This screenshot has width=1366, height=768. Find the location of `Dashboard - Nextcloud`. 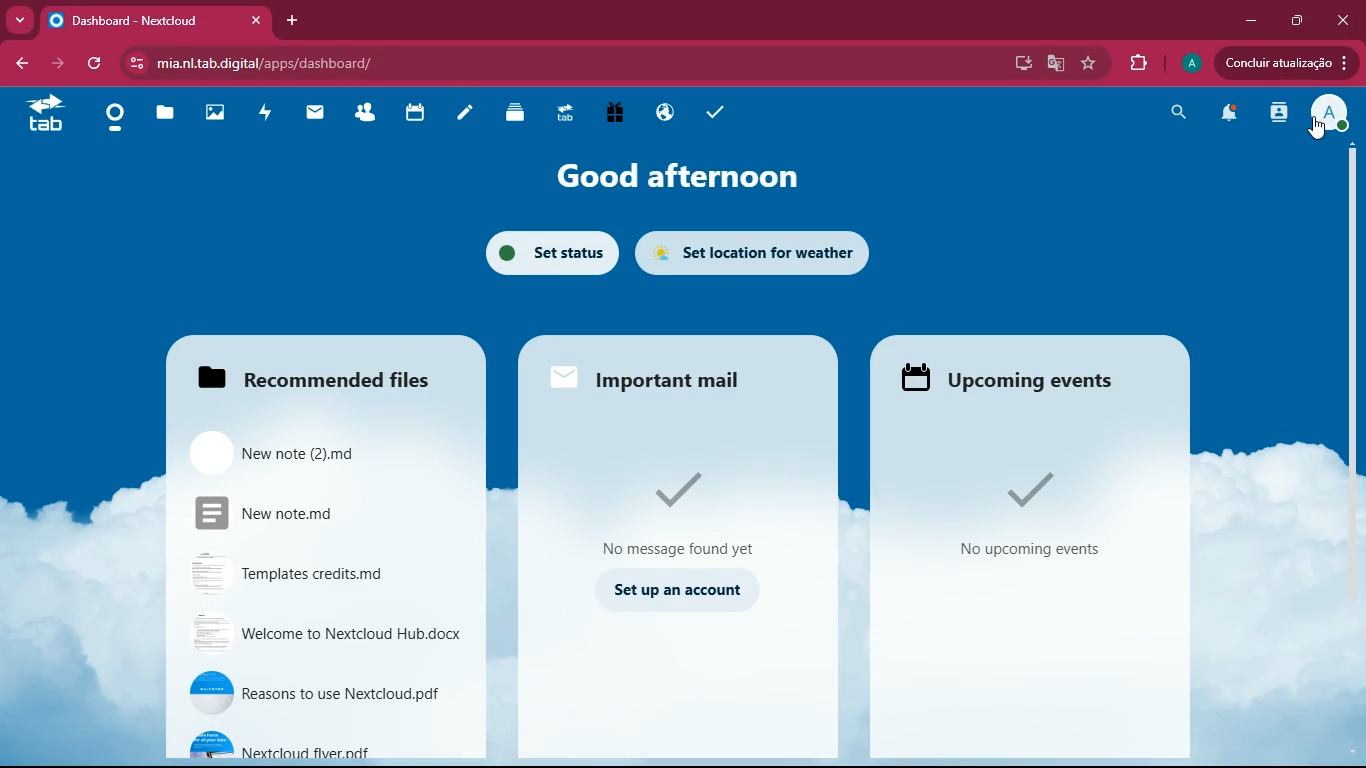

Dashboard - Nextcloud is located at coordinates (155, 21).